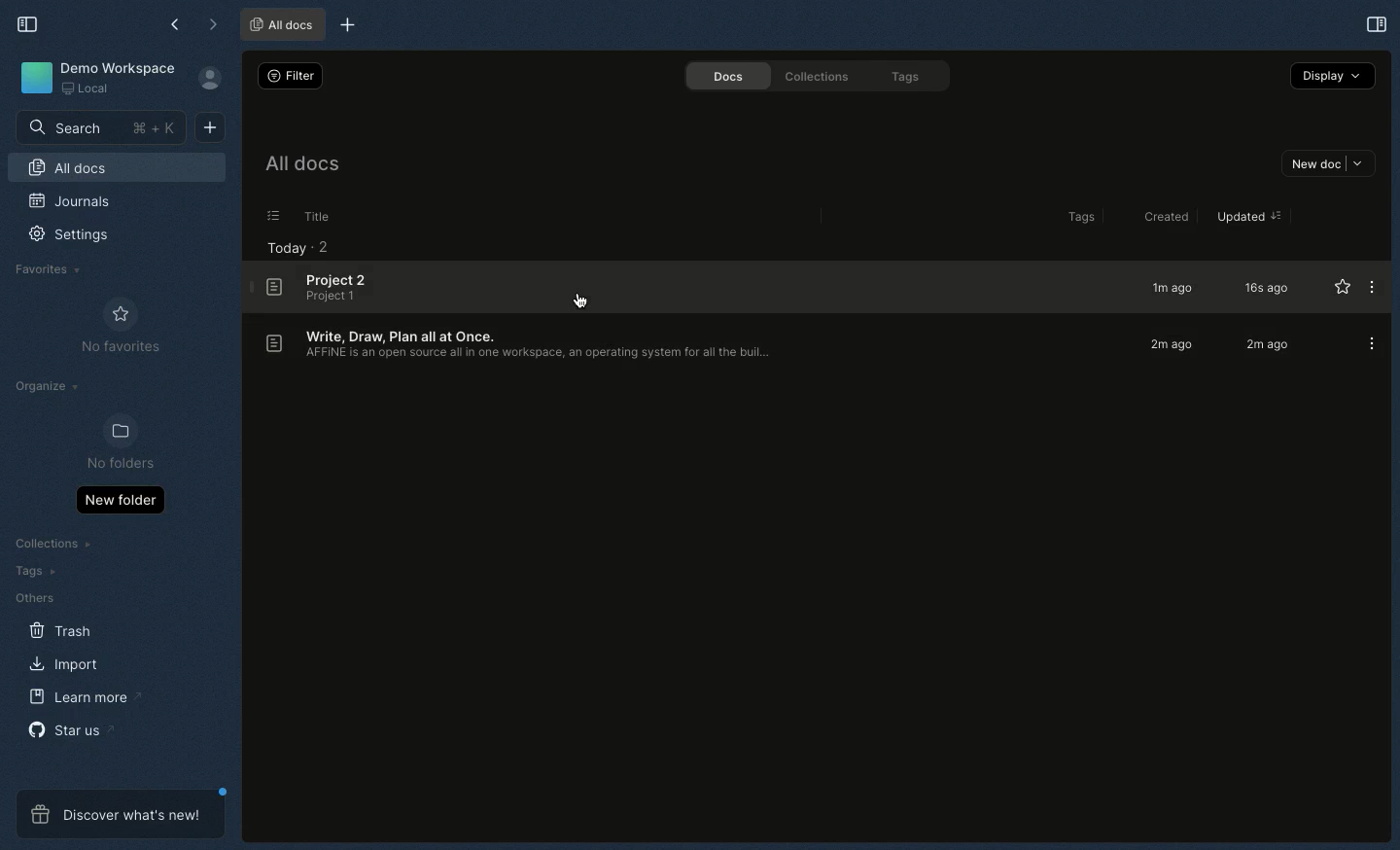 The width and height of the screenshot is (1400, 850). I want to click on Tags, so click(1082, 217).